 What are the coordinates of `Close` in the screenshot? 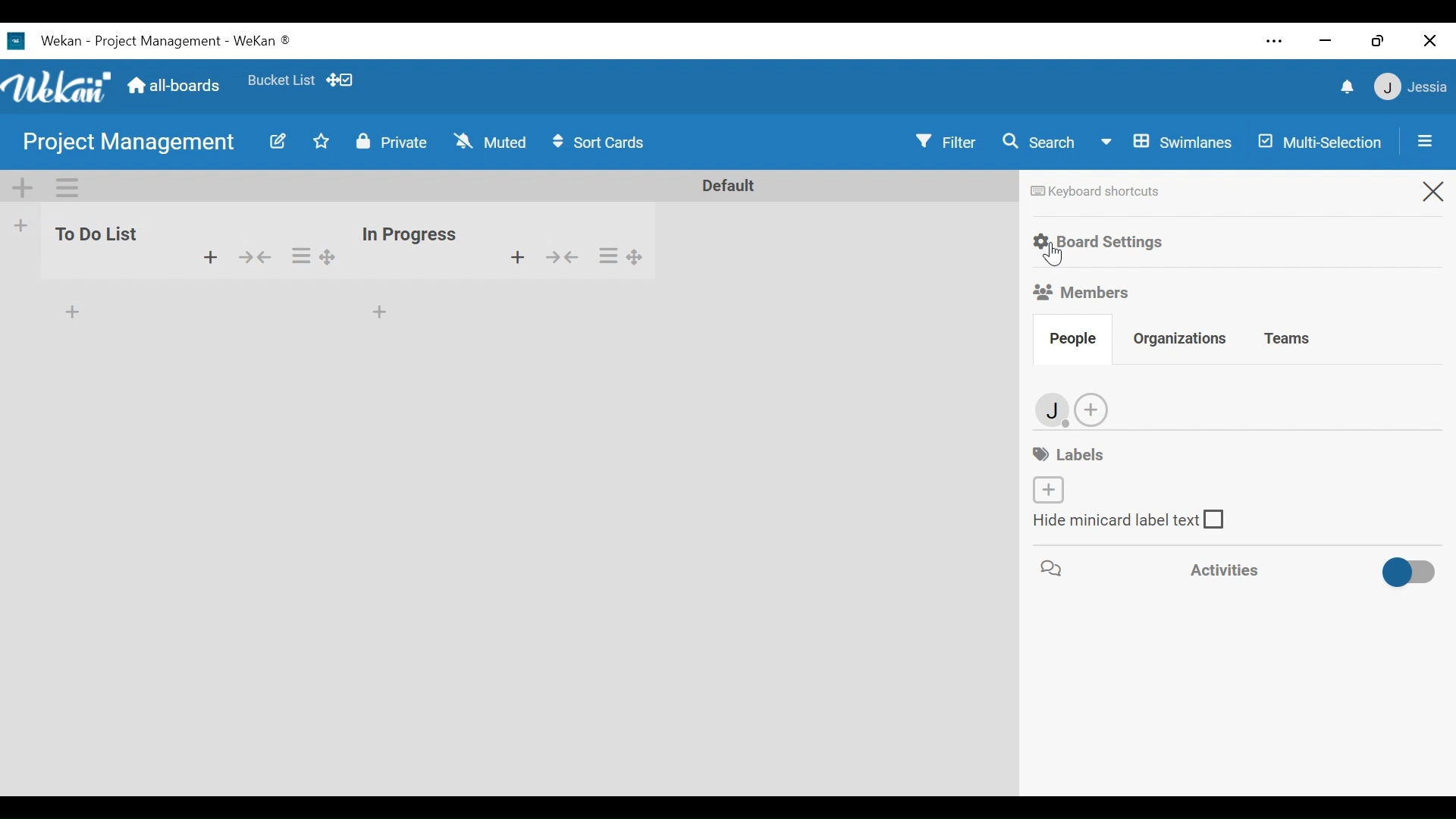 It's located at (1432, 40).